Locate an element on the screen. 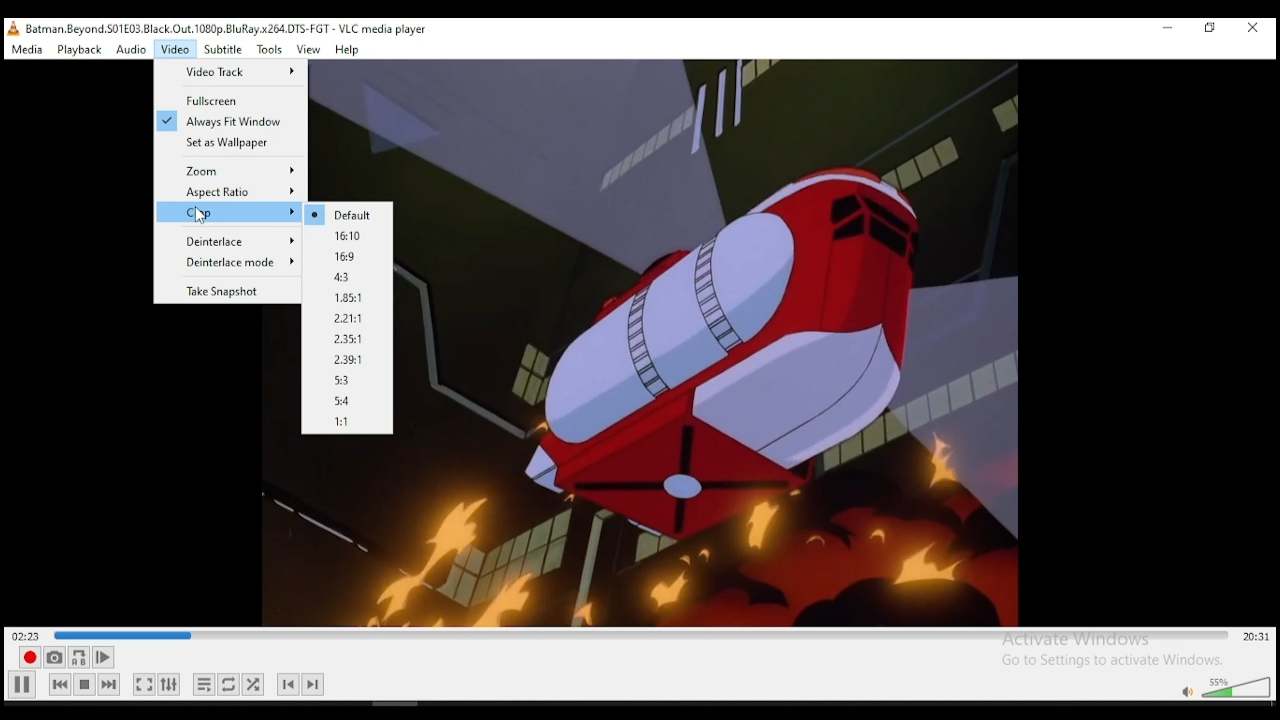 The width and height of the screenshot is (1280, 720). Full Screen is located at coordinates (223, 98).